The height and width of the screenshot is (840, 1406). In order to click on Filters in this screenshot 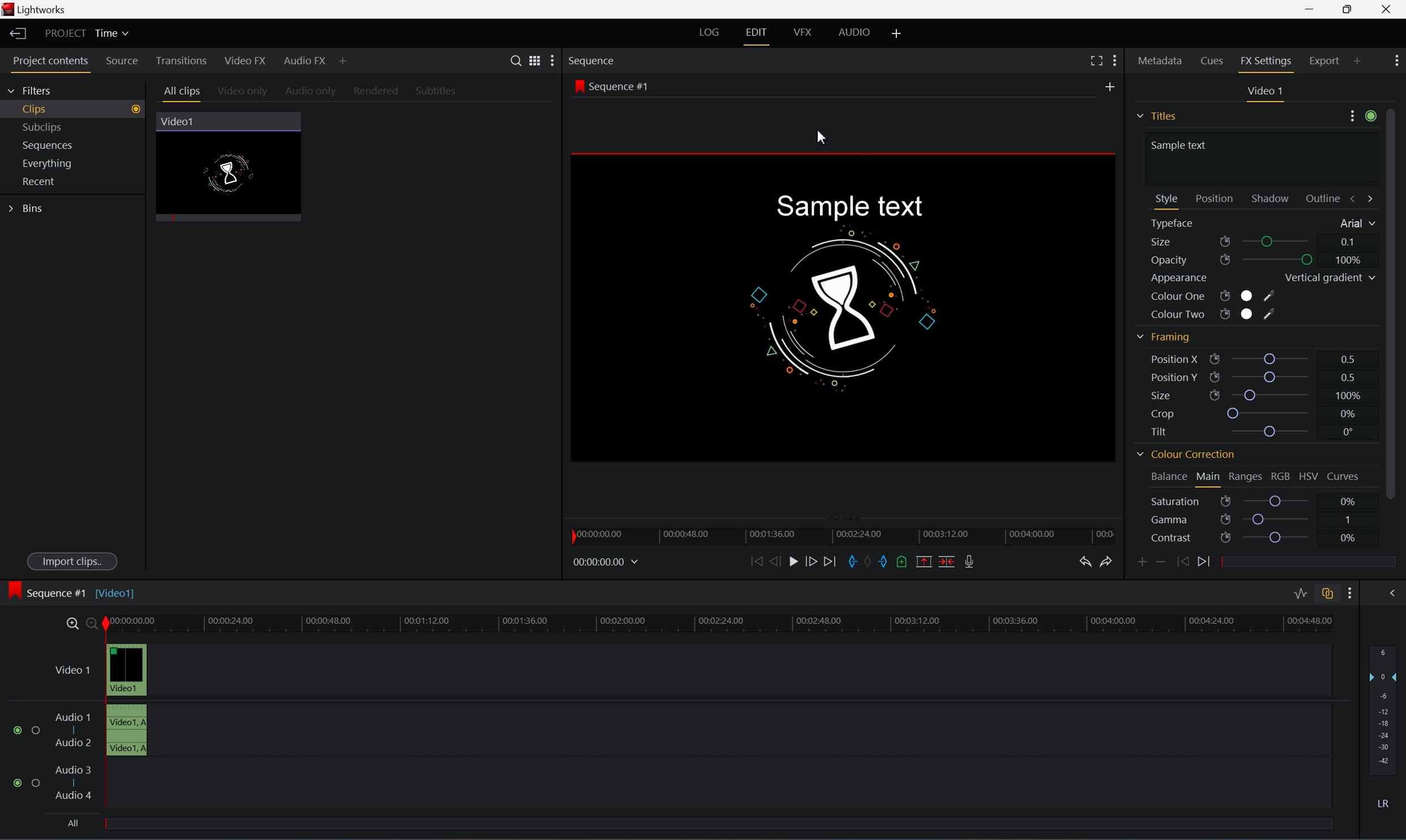, I will do `click(31, 92)`.